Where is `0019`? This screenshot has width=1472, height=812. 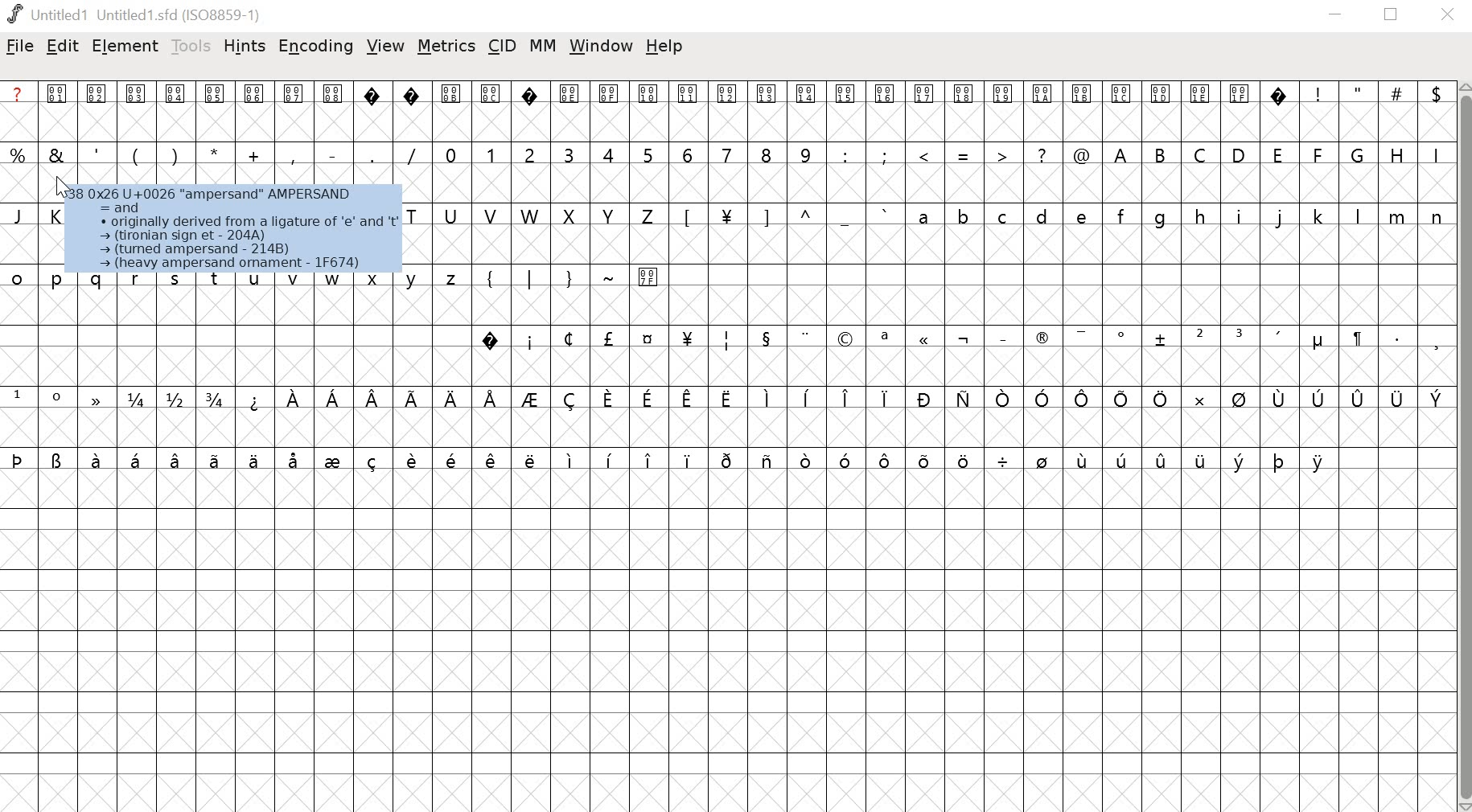 0019 is located at coordinates (1004, 112).